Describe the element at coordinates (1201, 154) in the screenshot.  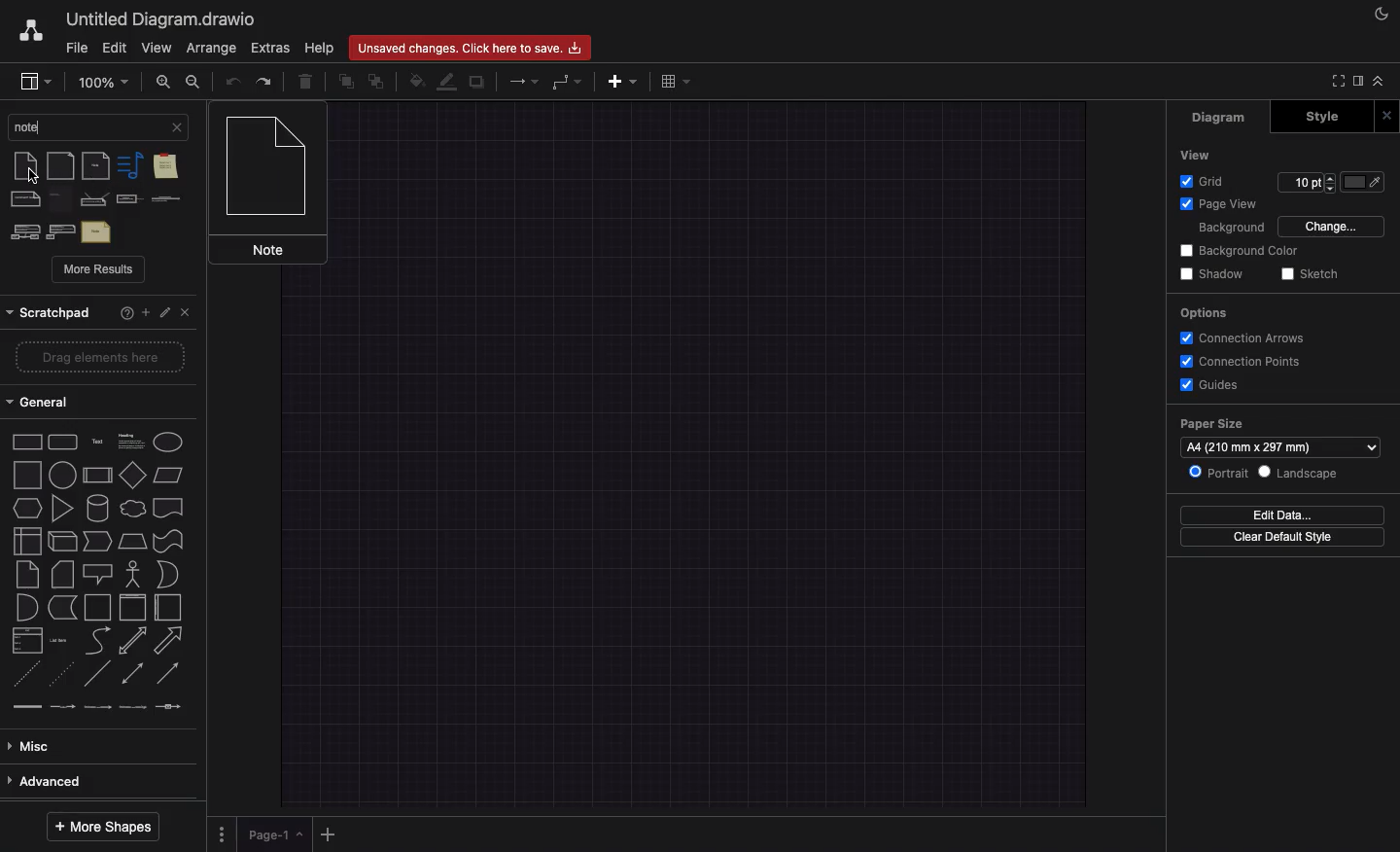
I see `View` at that location.